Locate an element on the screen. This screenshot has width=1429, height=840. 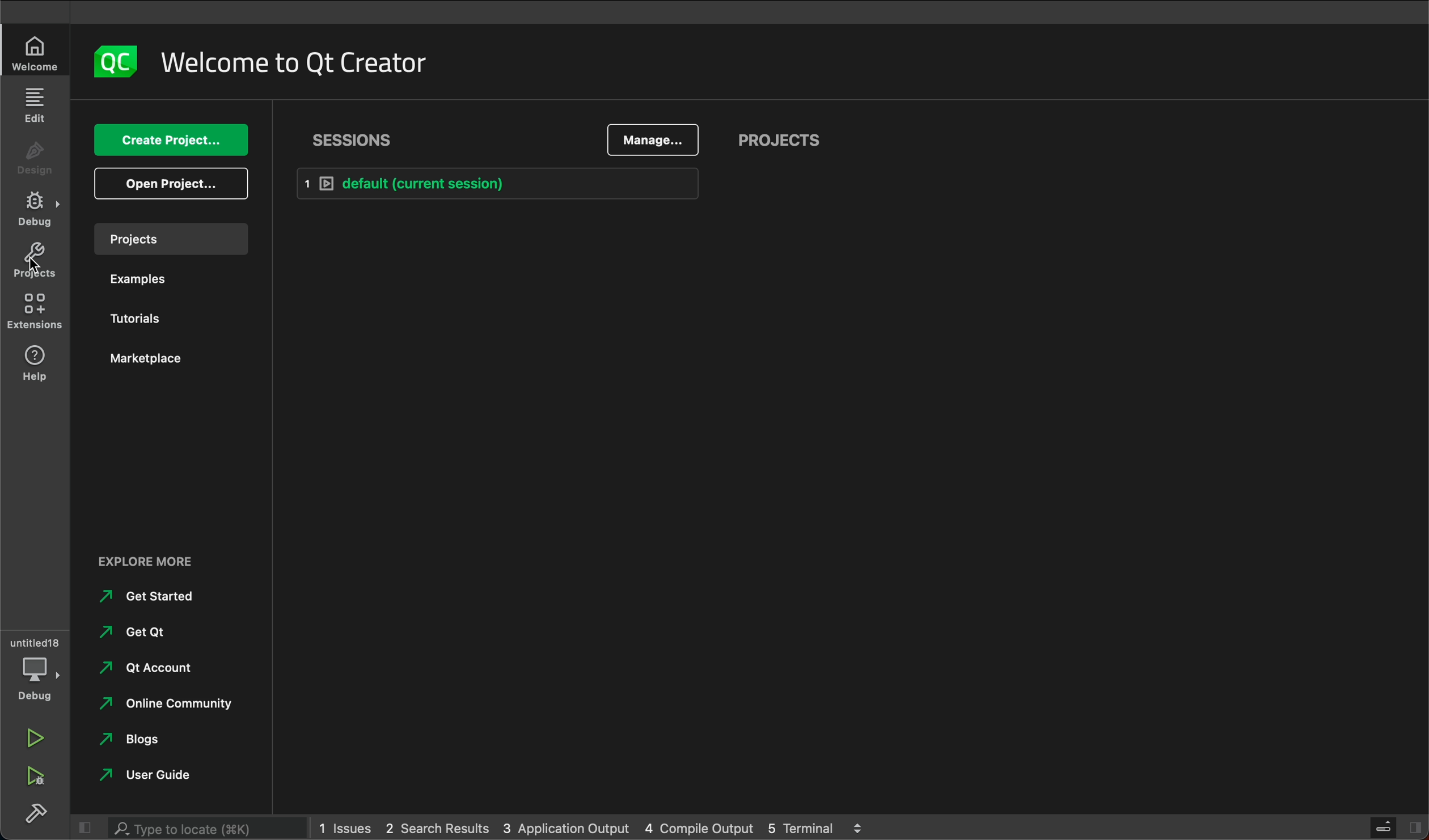
get ok is located at coordinates (147, 633).